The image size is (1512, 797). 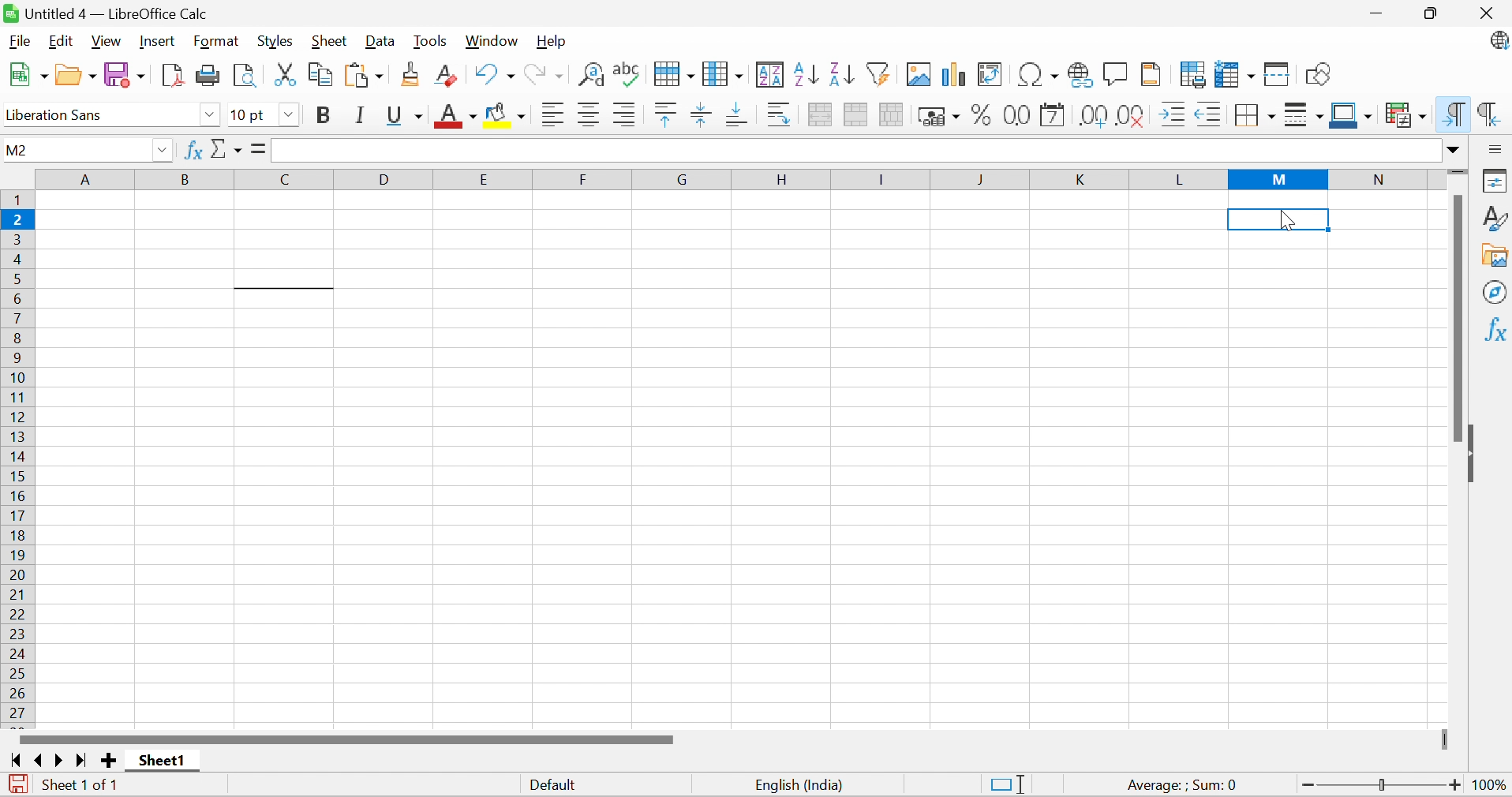 What do you see at coordinates (982, 118) in the screenshot?
I see `Format as percent` at bounding box center [982, 118].